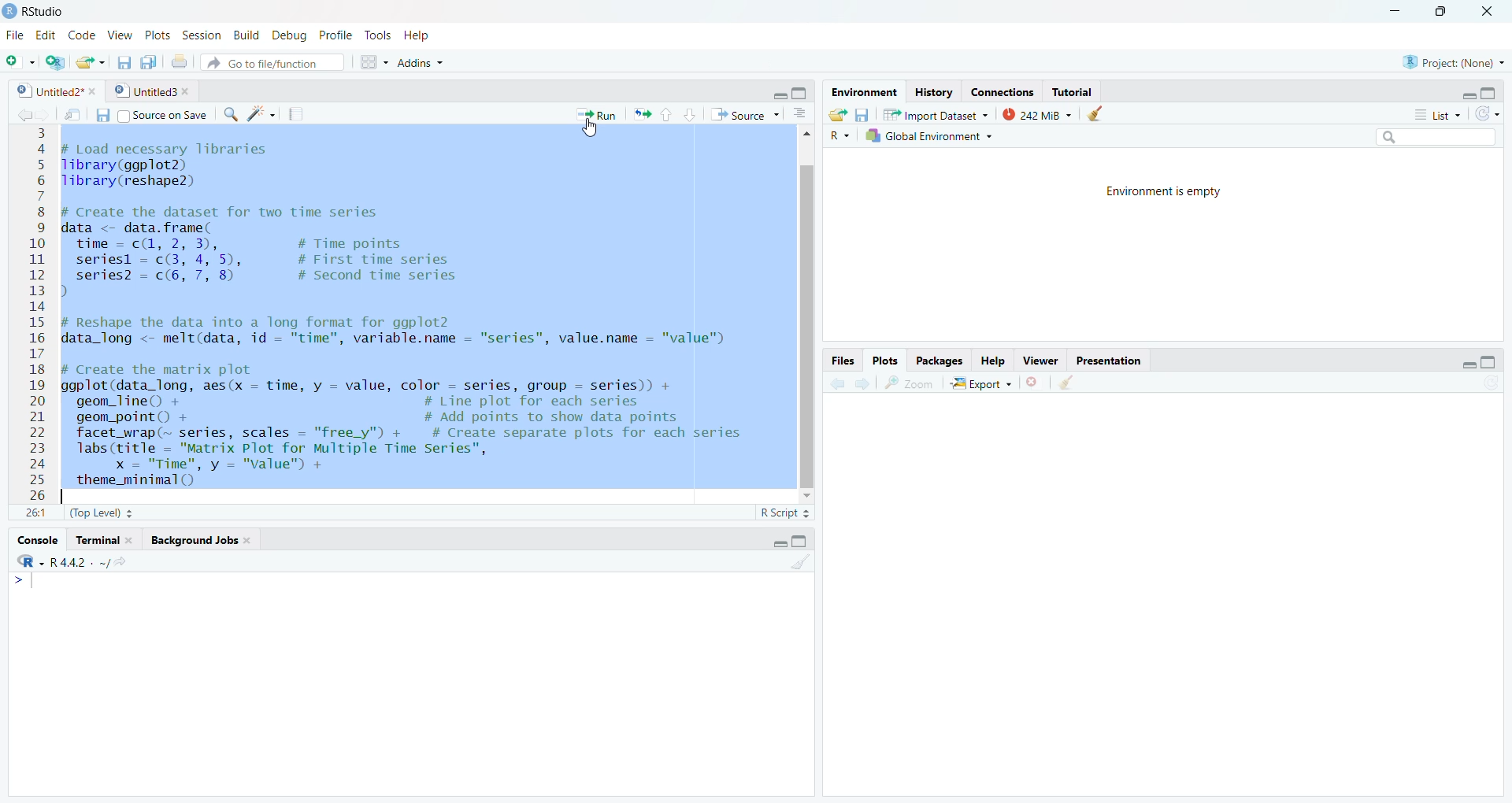 Image resolution: width=1512 pixels, height=803 pixels. What do you see at coordinates (177, 61) in the screenshot?
I see `print the current file` at bounding box center [177, 61].